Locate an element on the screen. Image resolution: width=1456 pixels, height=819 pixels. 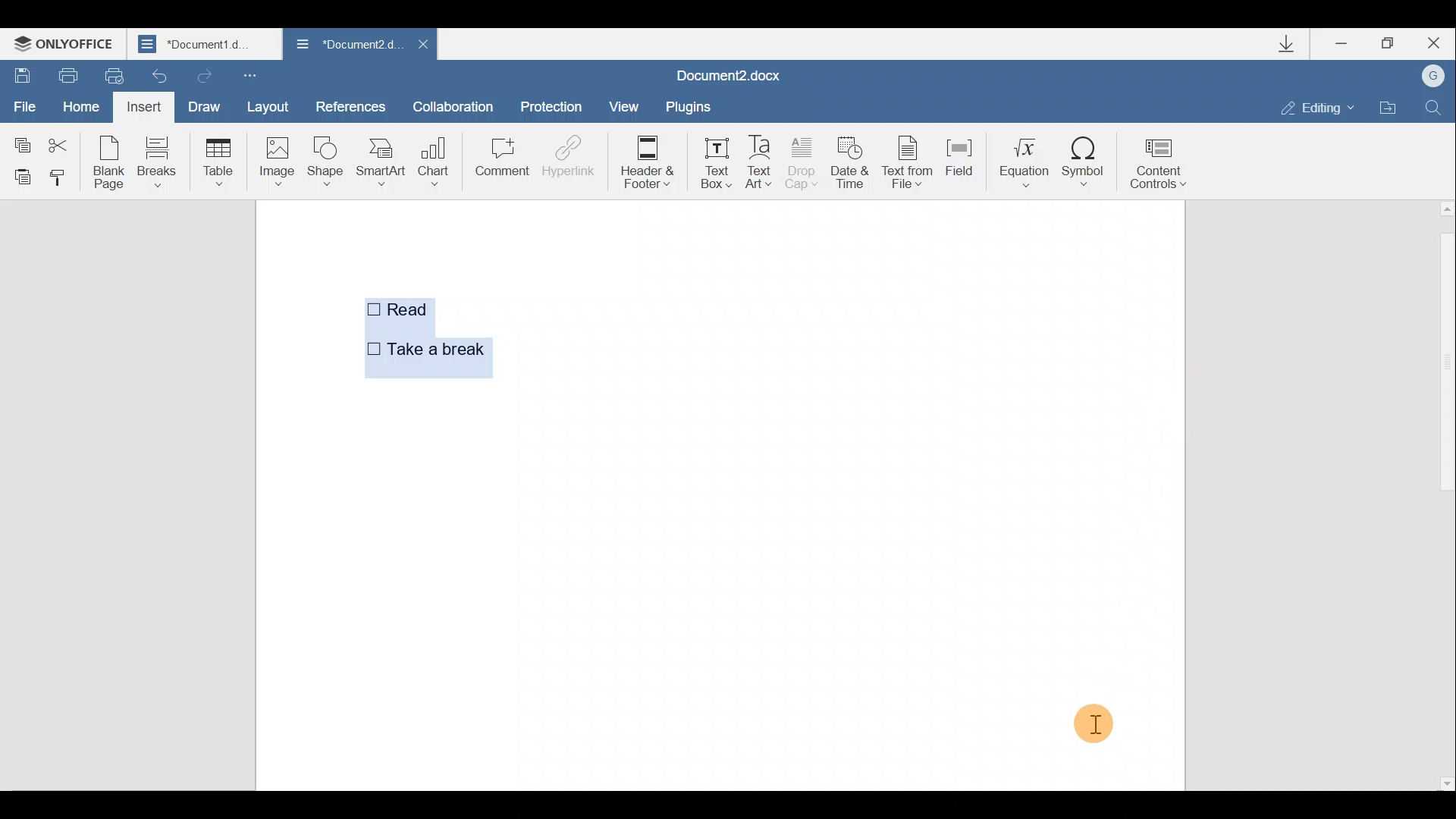
File is located at coordinates (23, 101).